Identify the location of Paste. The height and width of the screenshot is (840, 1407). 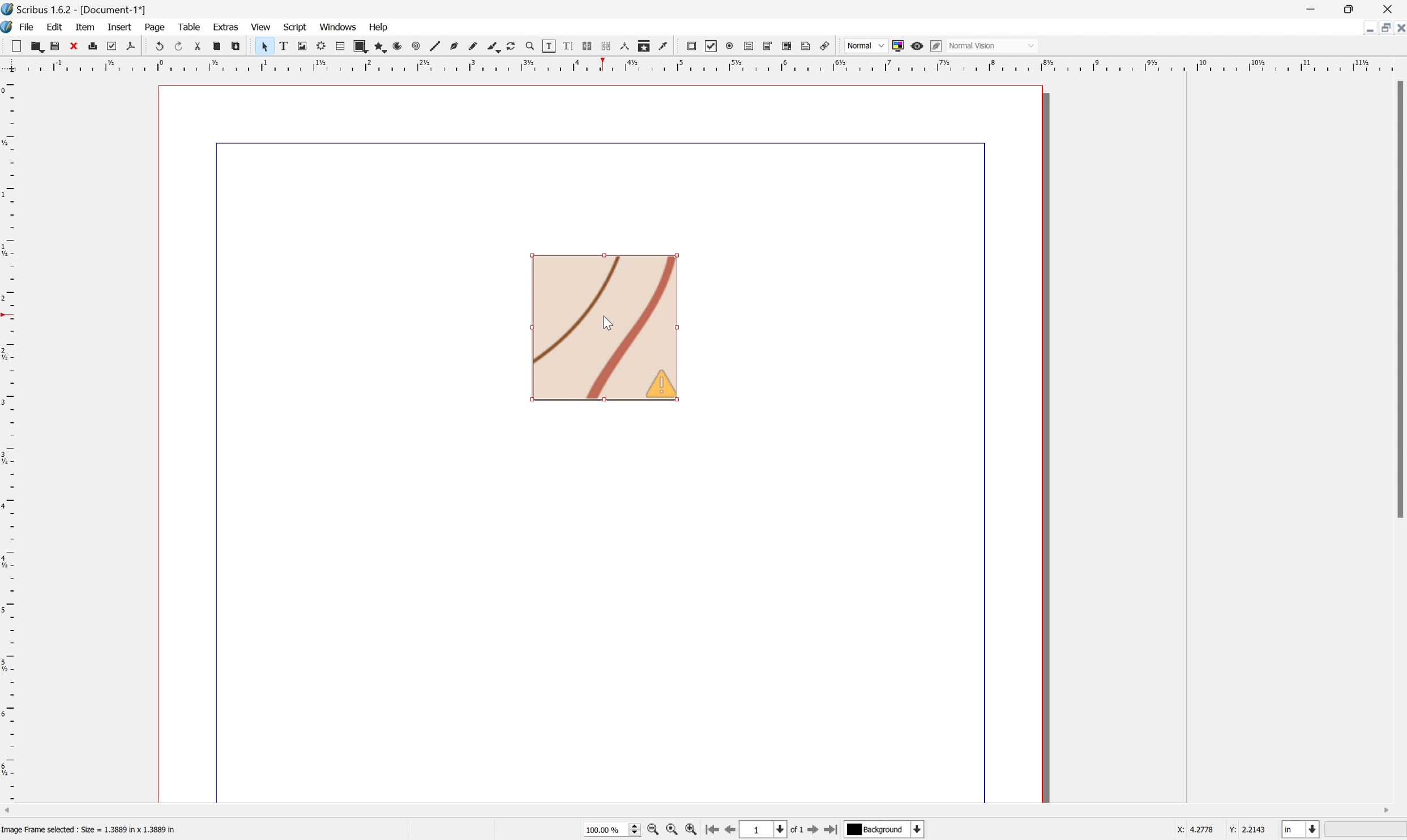
(237, 44).